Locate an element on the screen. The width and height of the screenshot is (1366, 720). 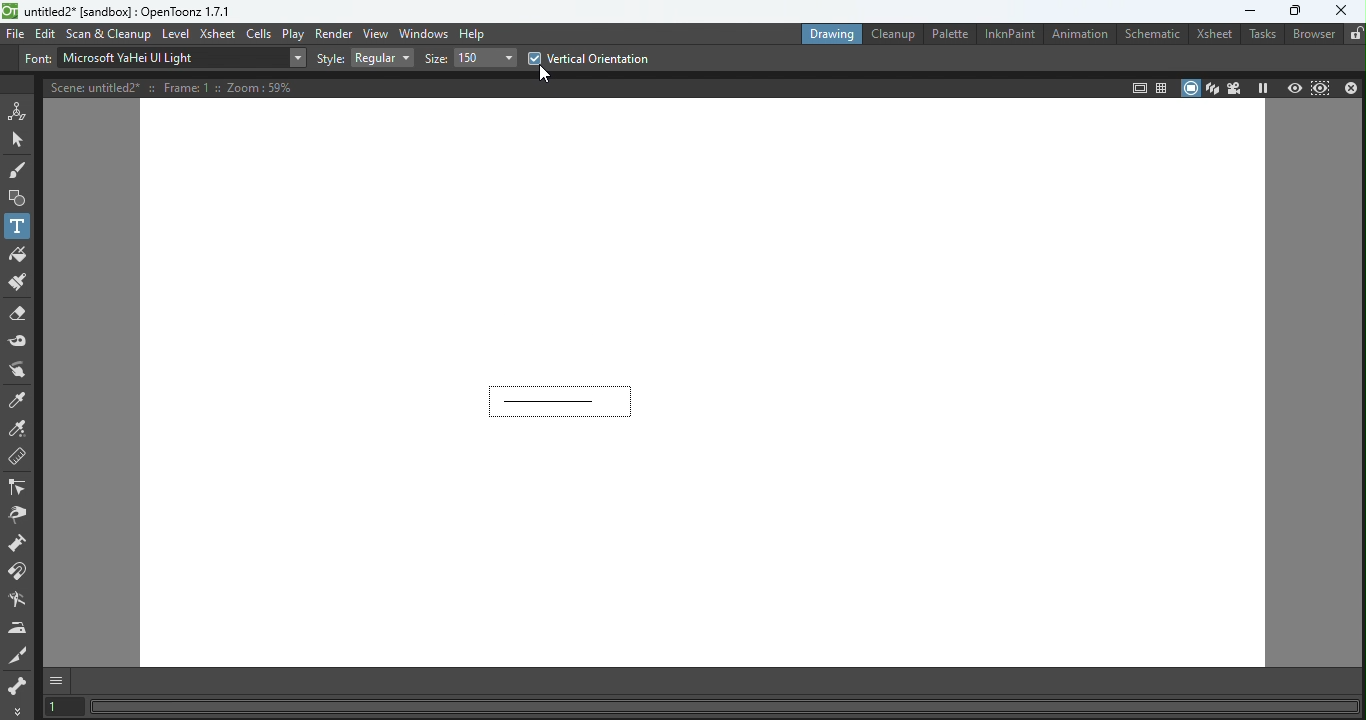
Animation is located at coordinates (1083, 34).